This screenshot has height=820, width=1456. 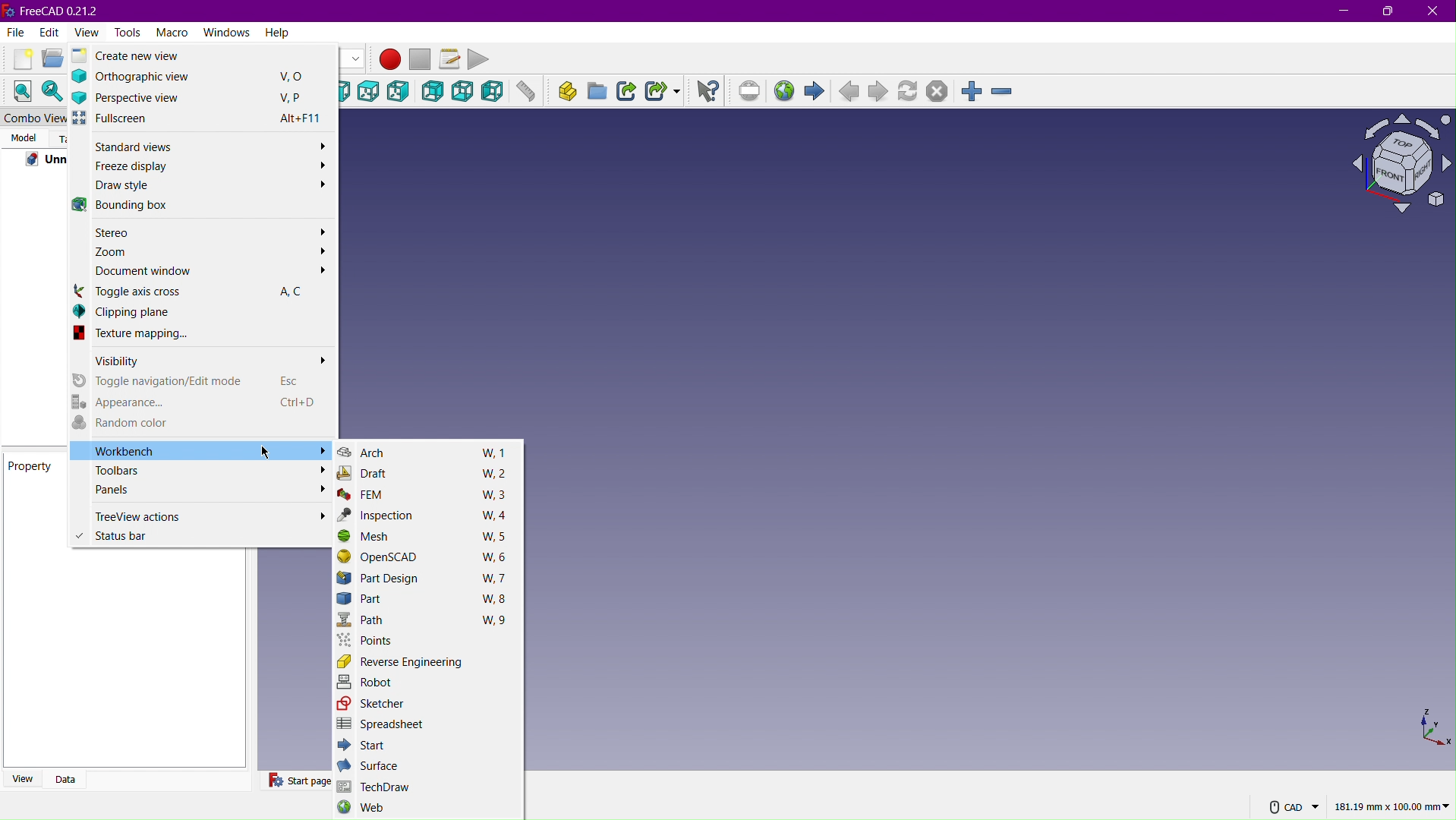 I want to click on Workbench, so click(x=197, y=450).